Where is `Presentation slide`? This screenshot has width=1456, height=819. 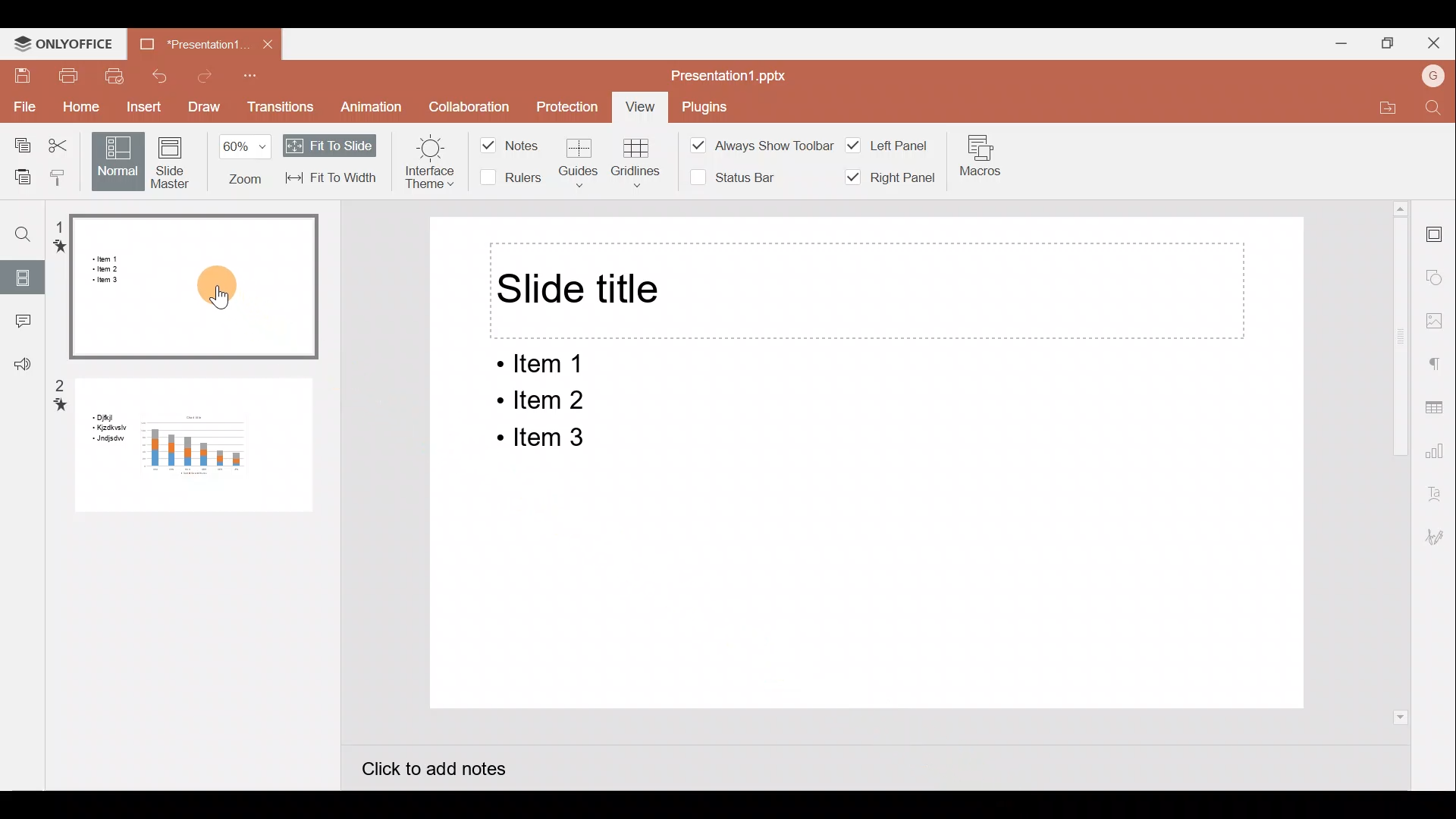
Presentation slide is located at coordinates (866, 585).